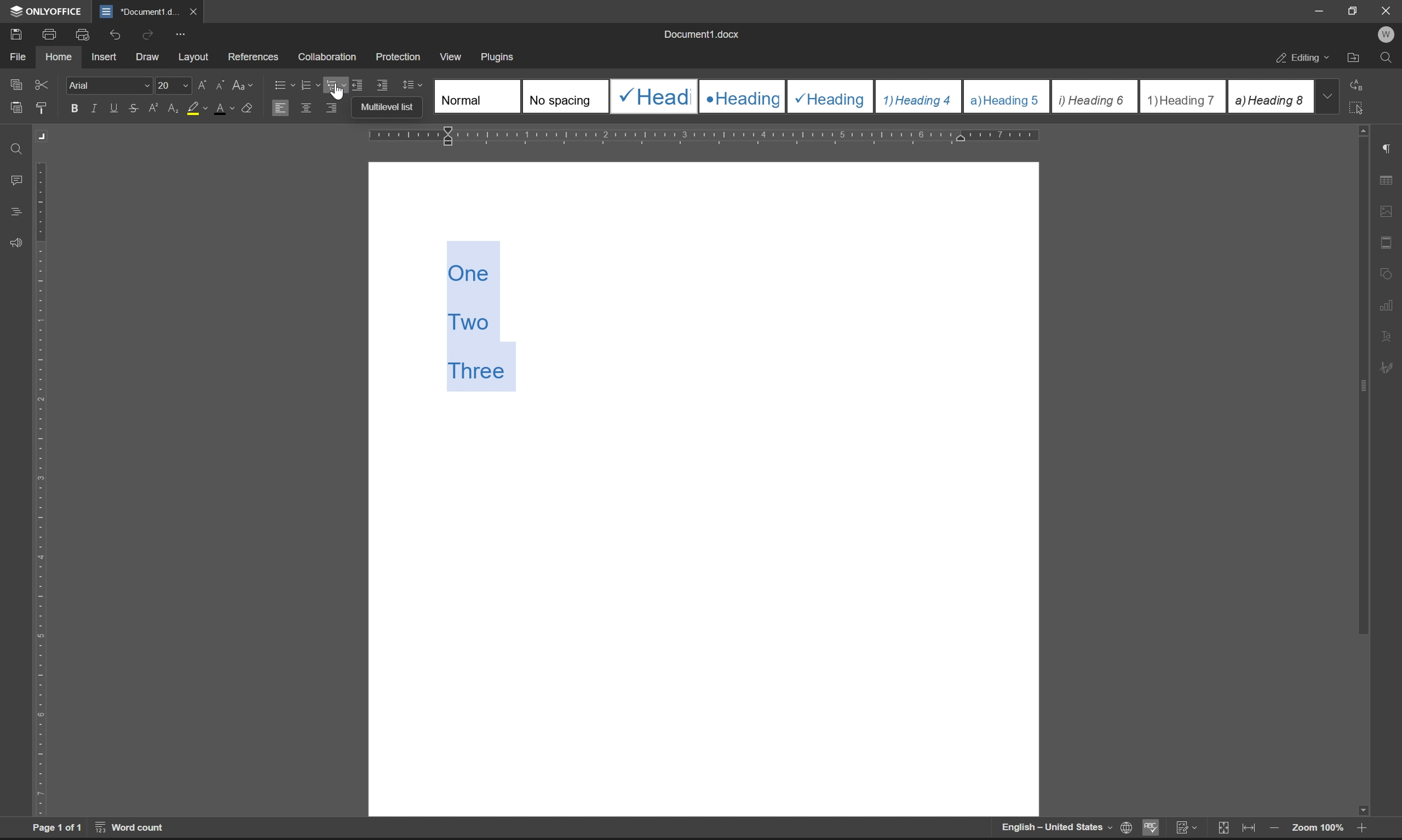 This screenshot has height=840, width=1402. I want to click on minimize, so click(1320, 11).